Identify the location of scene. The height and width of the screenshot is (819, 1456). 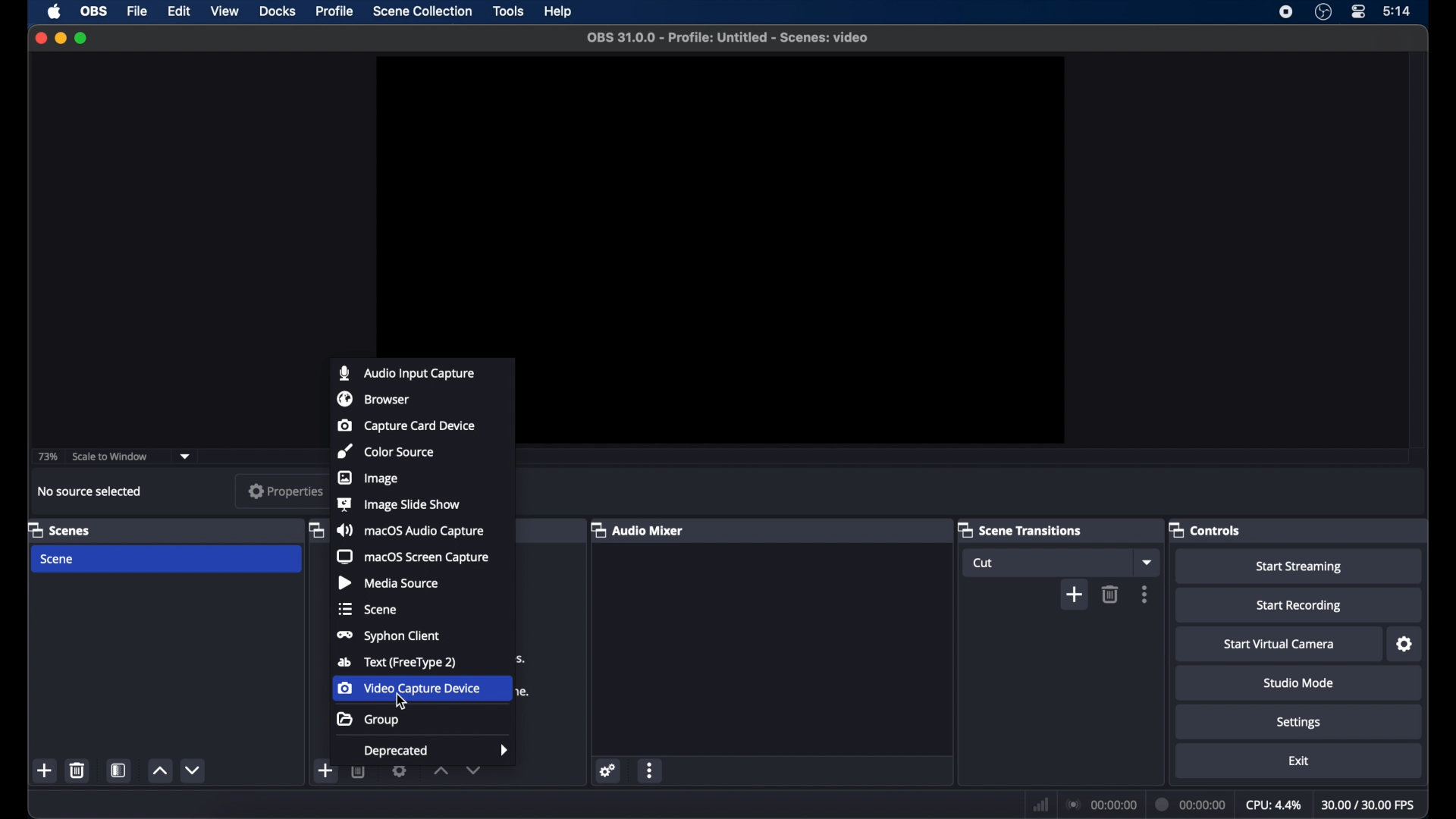
(368, 609).